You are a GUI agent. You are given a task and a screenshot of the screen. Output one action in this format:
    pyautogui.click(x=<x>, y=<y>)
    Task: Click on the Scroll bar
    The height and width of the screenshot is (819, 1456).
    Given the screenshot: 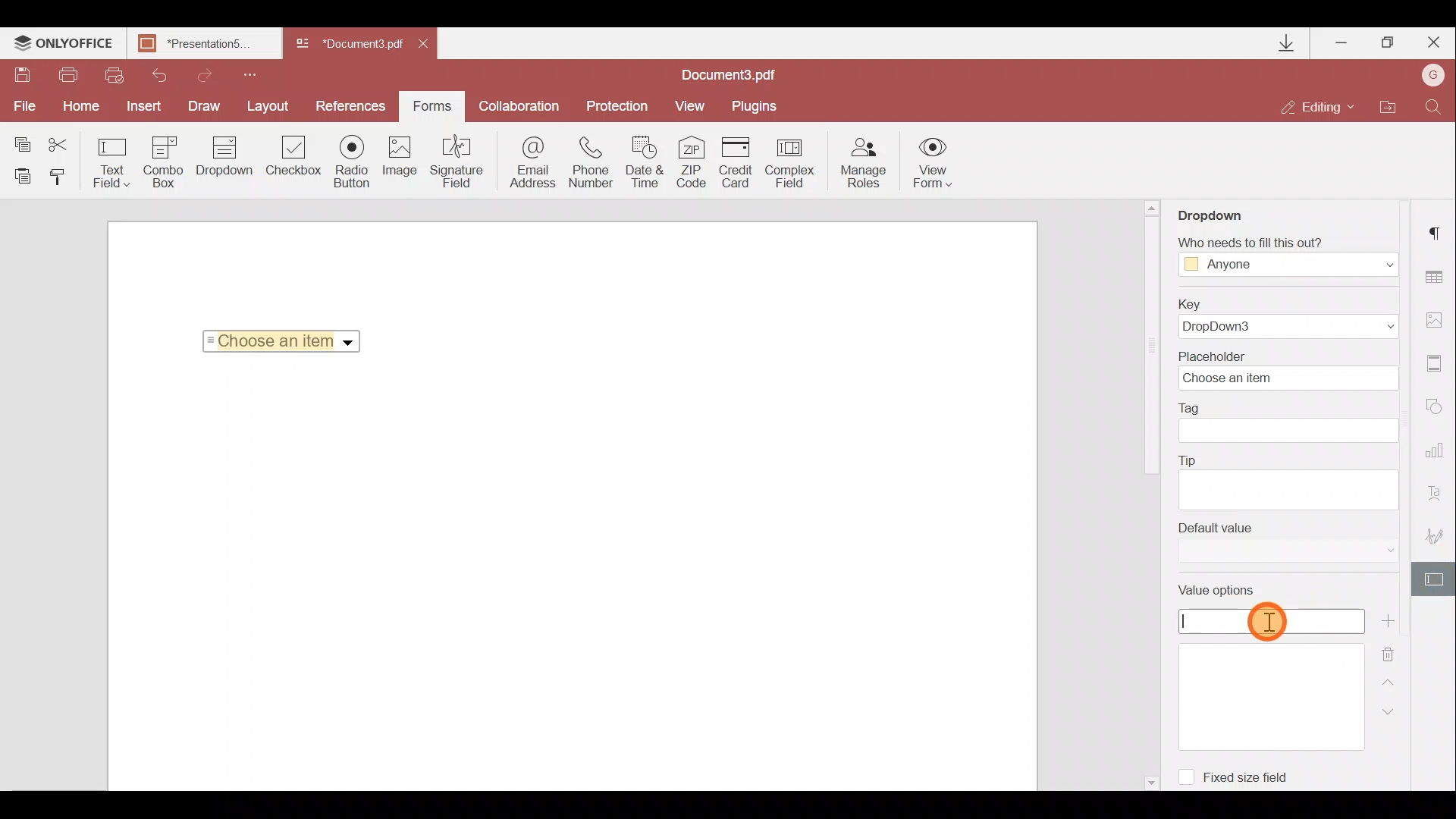 What is the action you would take?
    pyautogui.click(x=1150, y=350)
    